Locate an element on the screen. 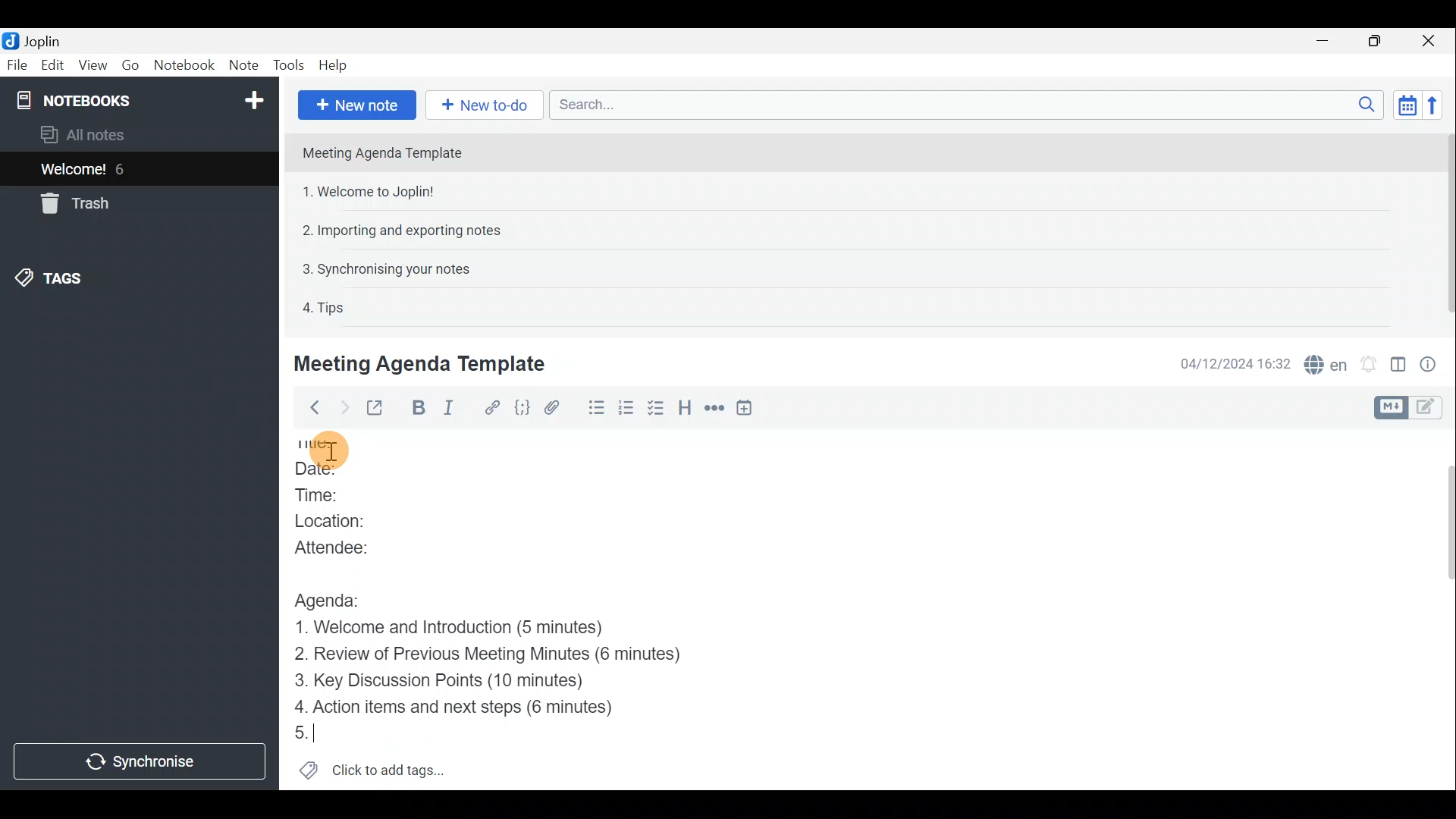 This screenshot has height=819, width=1456. 2. Importing and exporting notes is located at coordinates (407, 231).